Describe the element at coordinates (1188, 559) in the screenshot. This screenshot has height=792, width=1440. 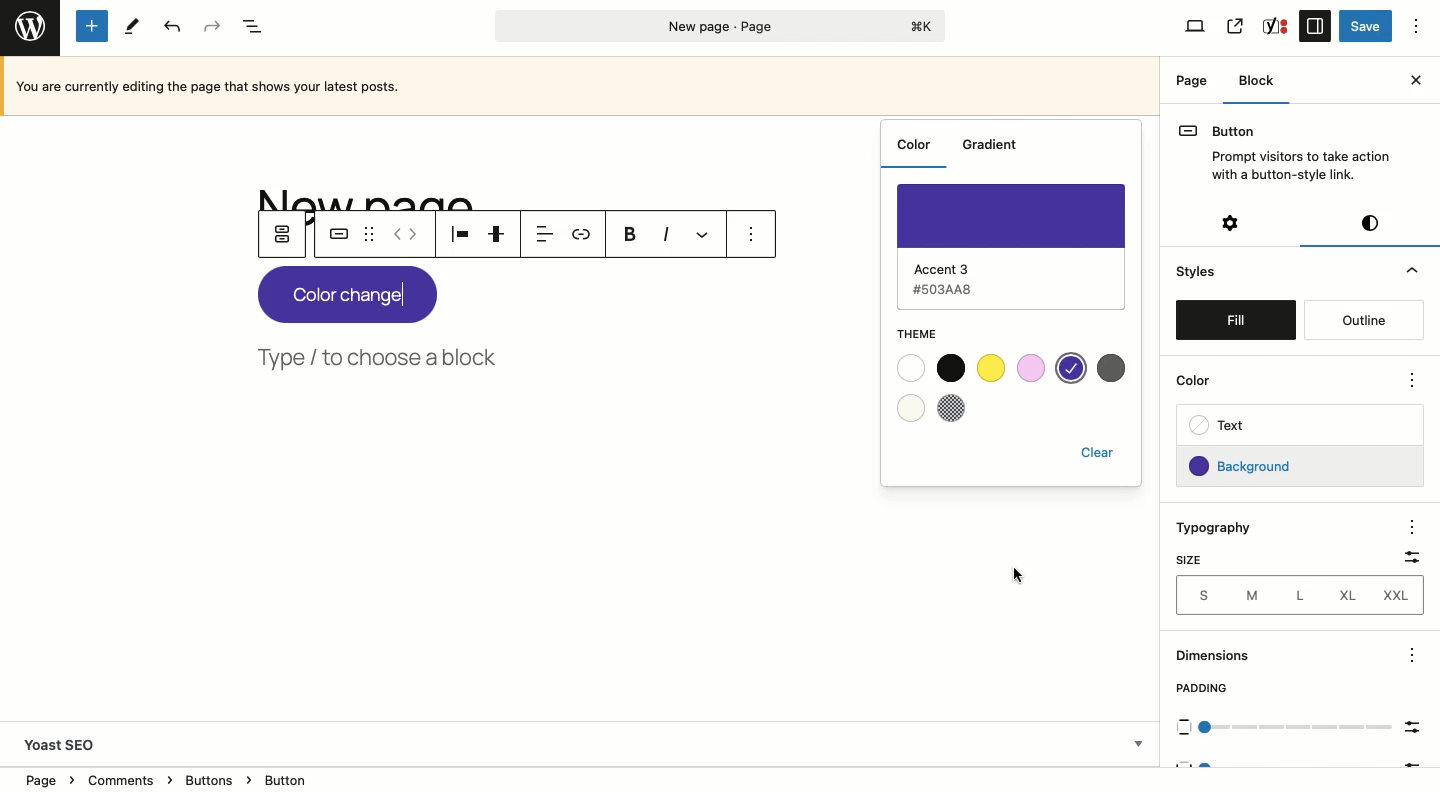
I see `Size` at that location.